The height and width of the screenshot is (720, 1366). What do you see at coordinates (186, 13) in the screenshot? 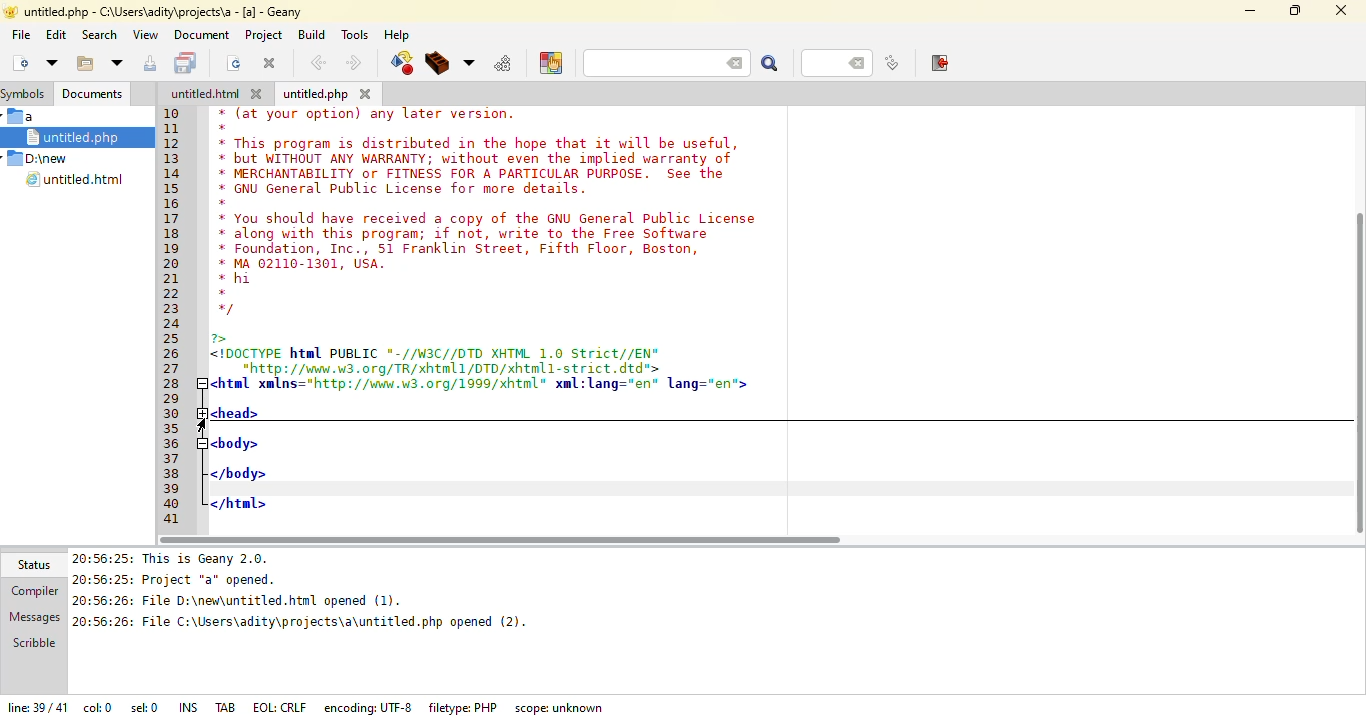
I see `untitles.php -C:\users\adity\projects\a - [a] - geany` at bounding box center [186, 13].